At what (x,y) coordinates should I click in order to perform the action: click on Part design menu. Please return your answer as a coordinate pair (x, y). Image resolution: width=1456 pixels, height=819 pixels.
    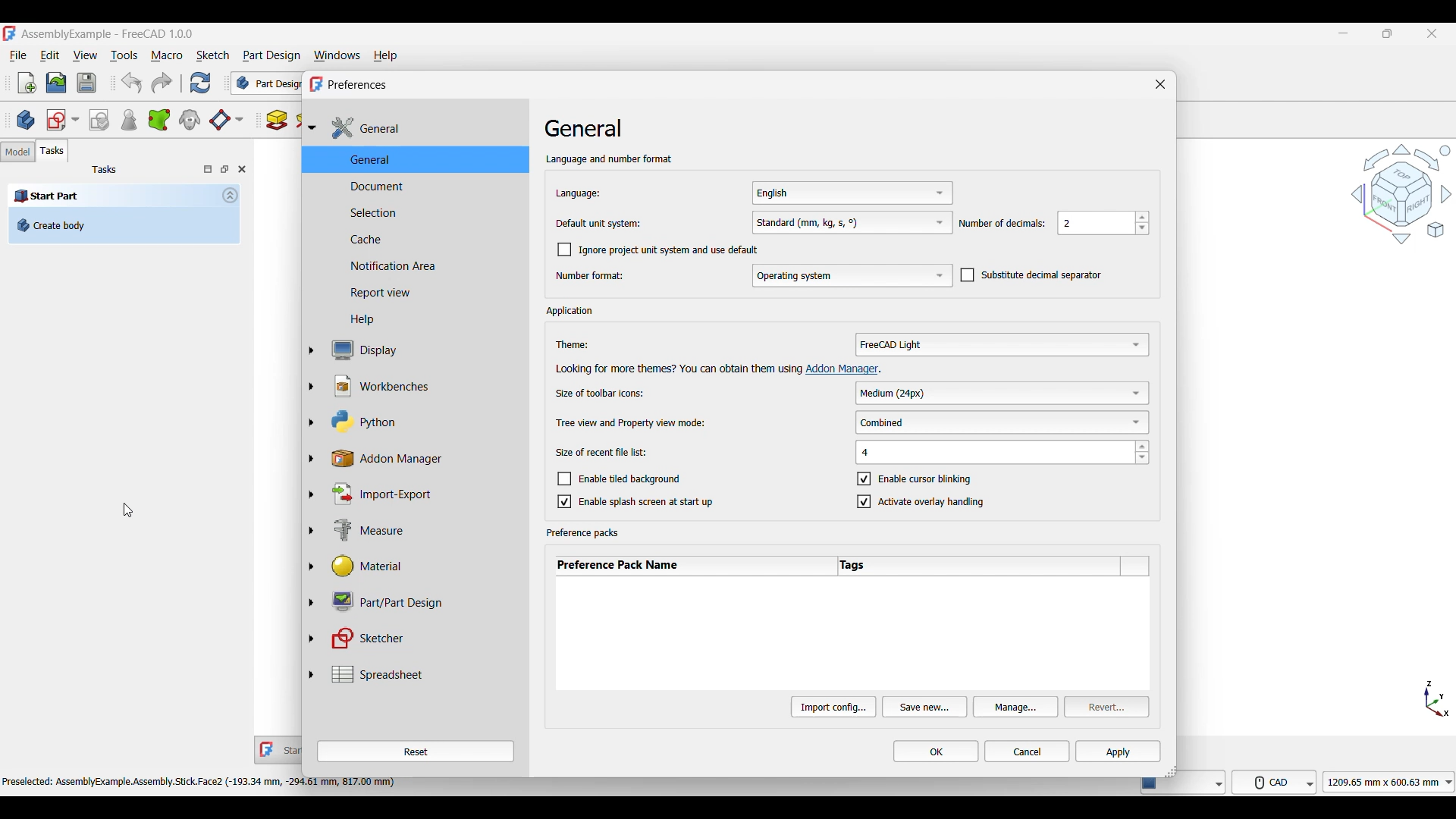
    Looking at the image, I should click on (271, 56).